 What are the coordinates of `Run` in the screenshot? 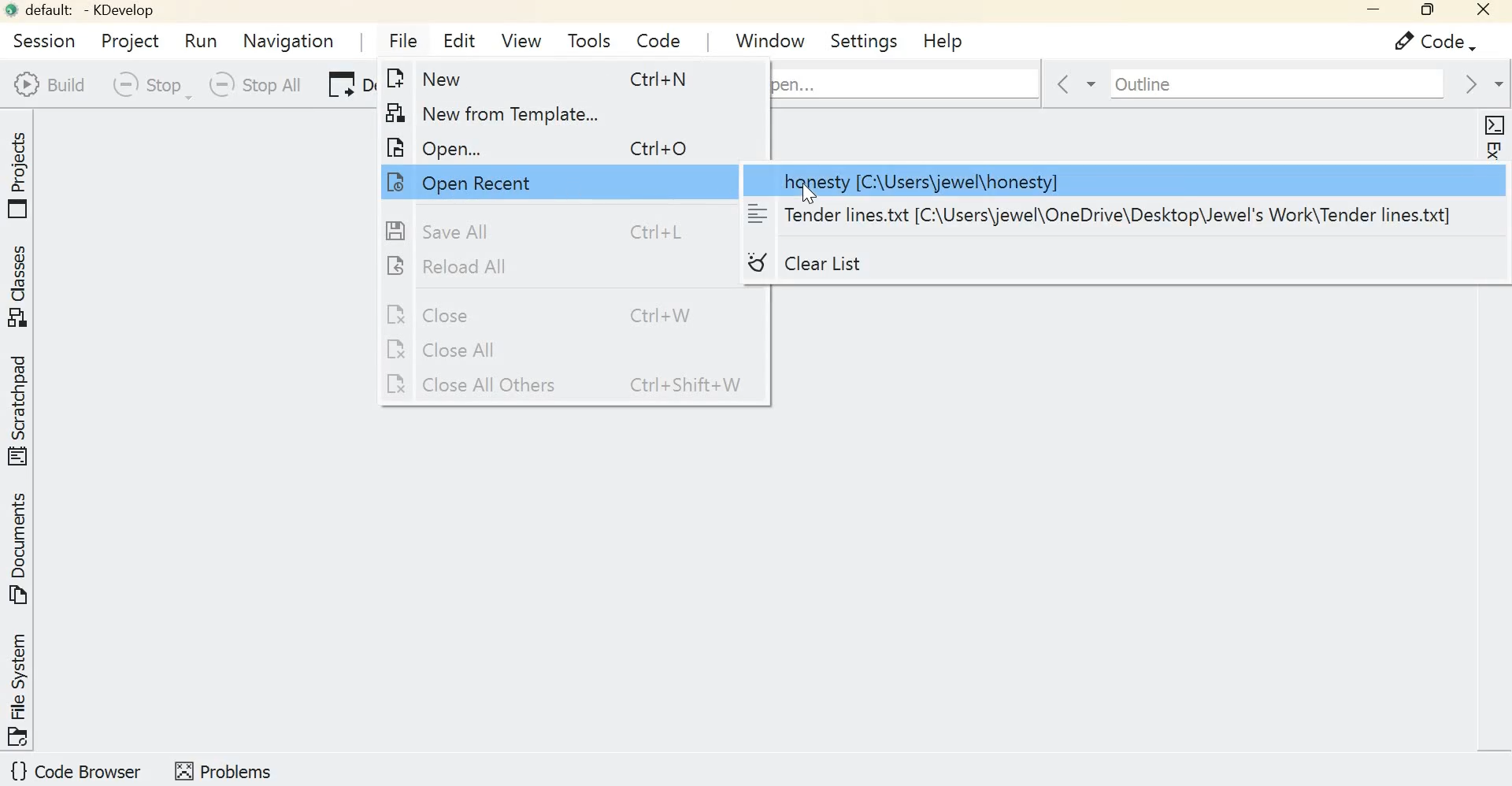 It's located at (204, 41).